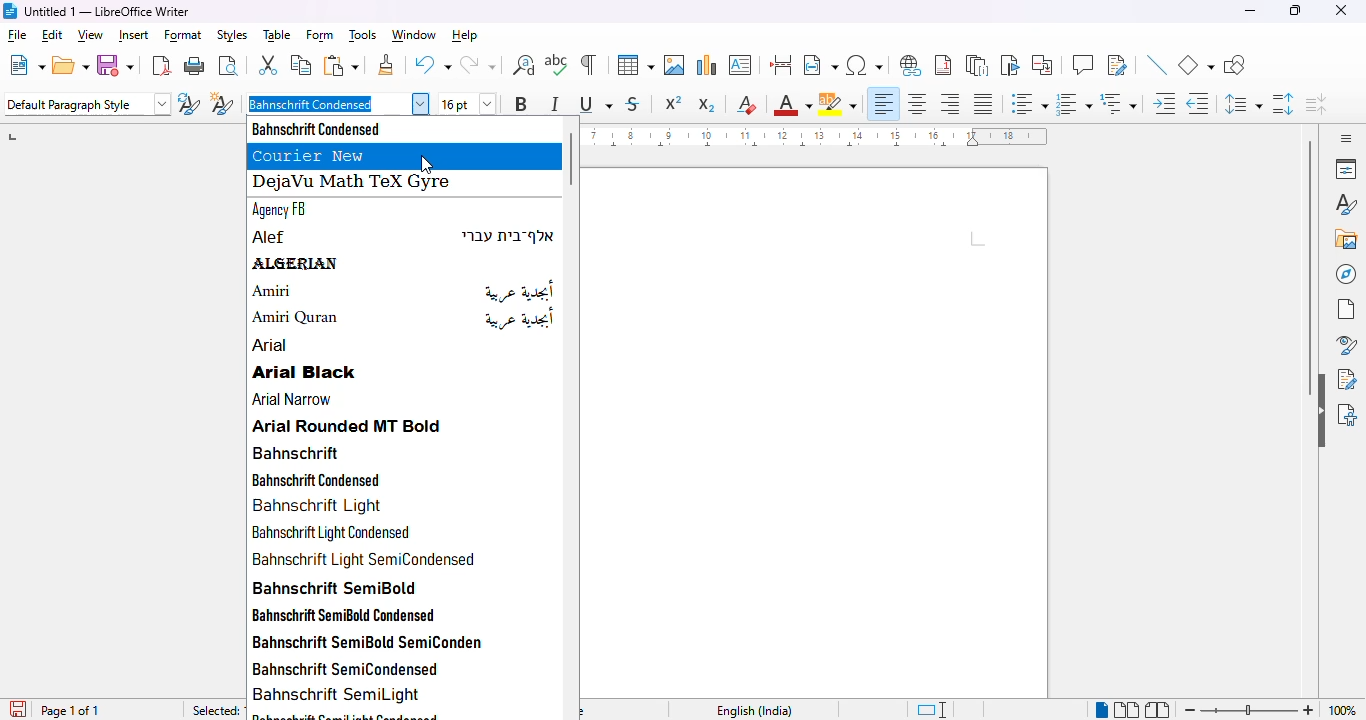 The width and height of the screenshot is (1366, 720). Describe the element at coordinates (134, 35) in the screenshot. I see `insert` at that location.